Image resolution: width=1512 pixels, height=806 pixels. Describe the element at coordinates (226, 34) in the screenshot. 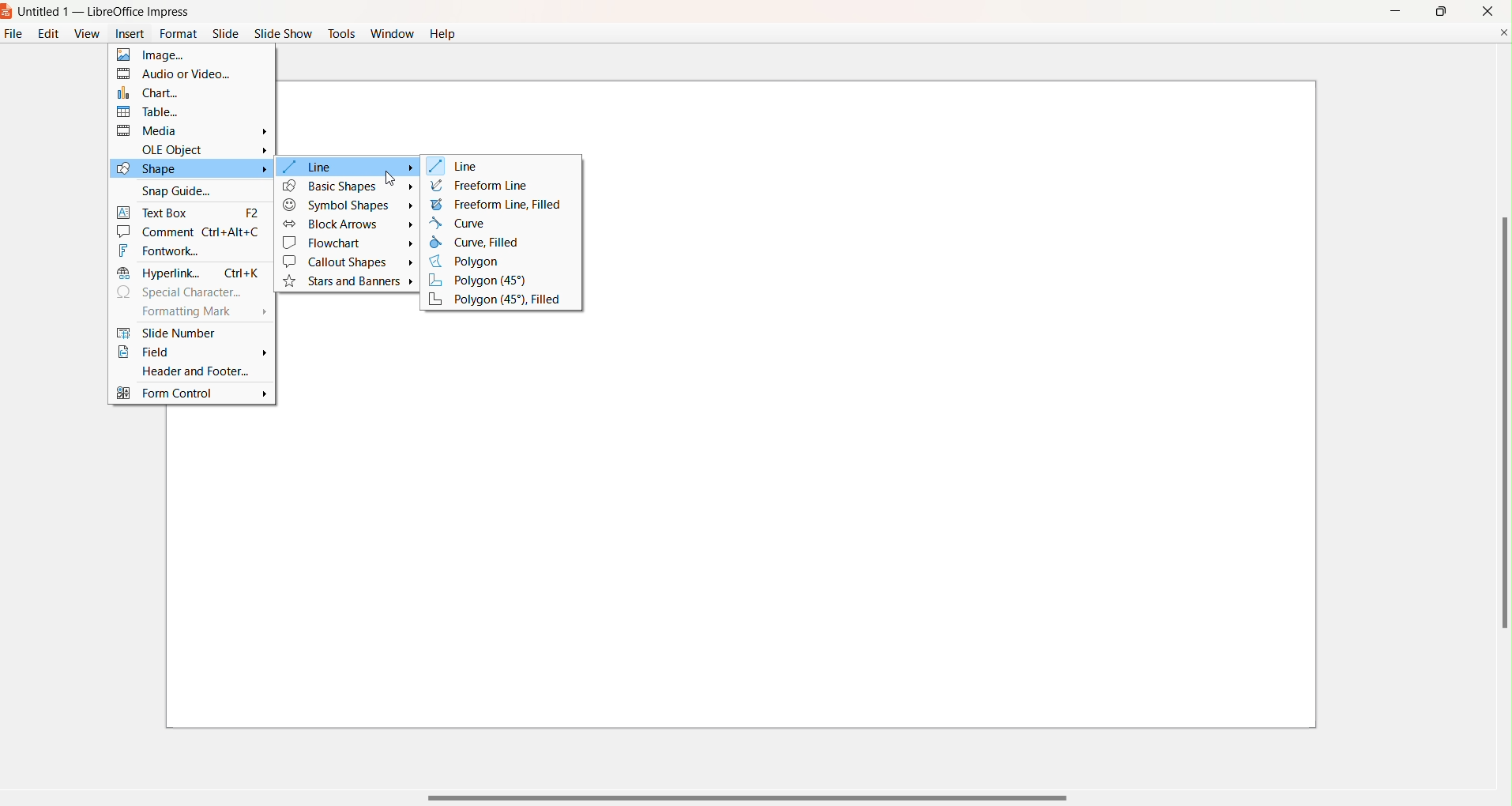

I see `Slide` at that location.